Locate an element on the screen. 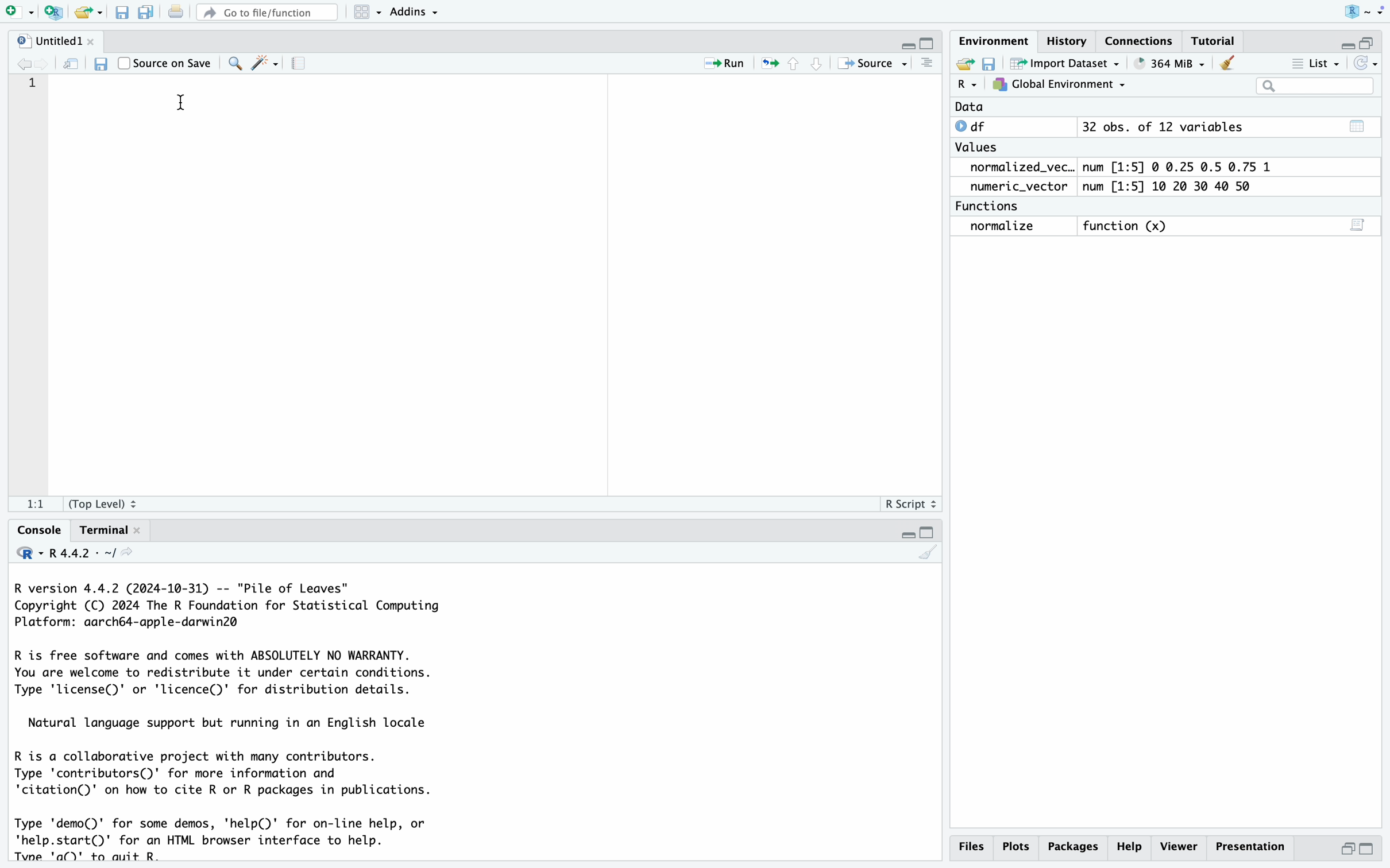 Image resolution: width=1390 pixels, height=868 pixels. Menu is located at coordinates (368, 12).